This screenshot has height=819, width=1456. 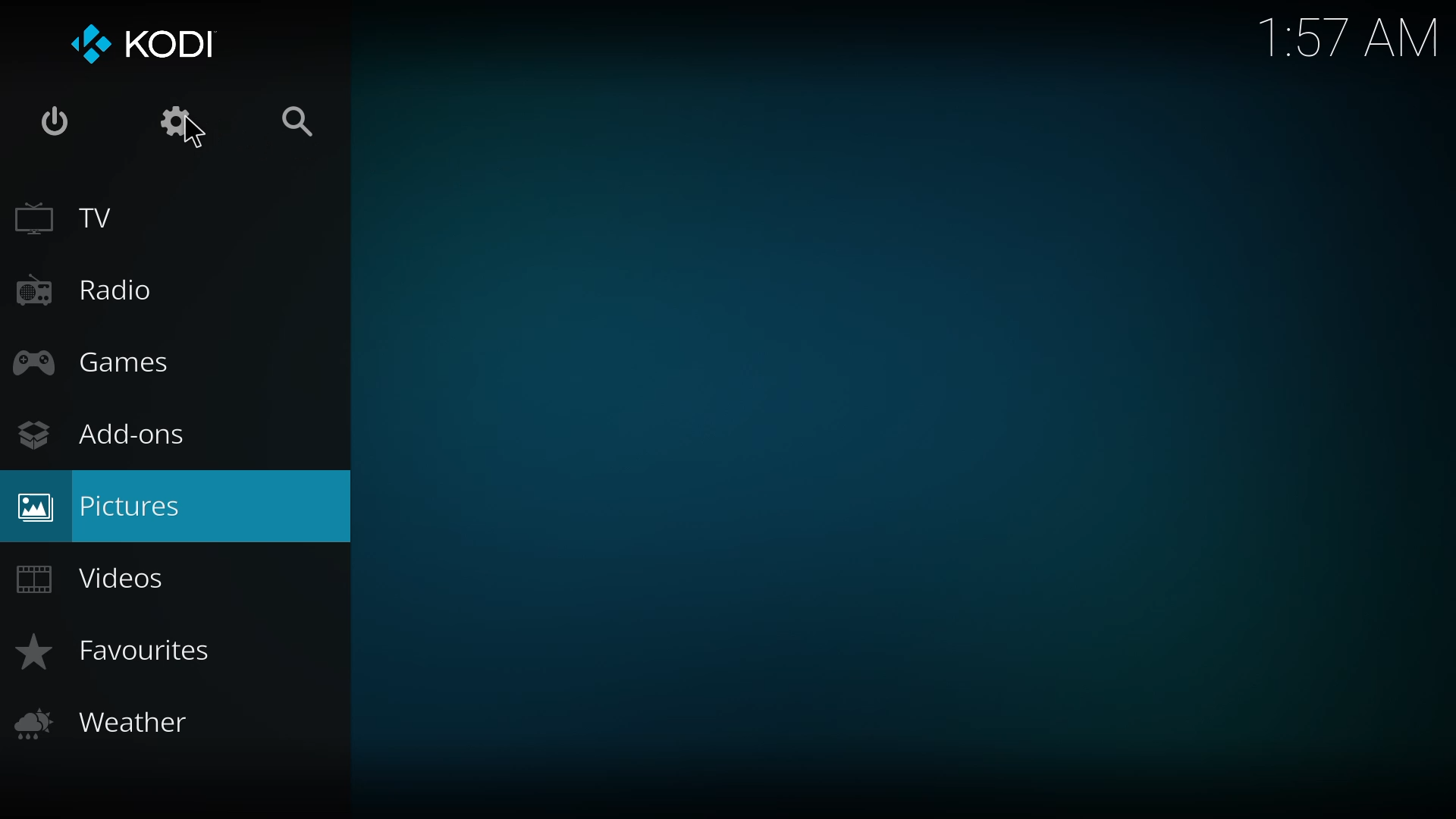 I want to click on cursor, so click(x=196, y=132).